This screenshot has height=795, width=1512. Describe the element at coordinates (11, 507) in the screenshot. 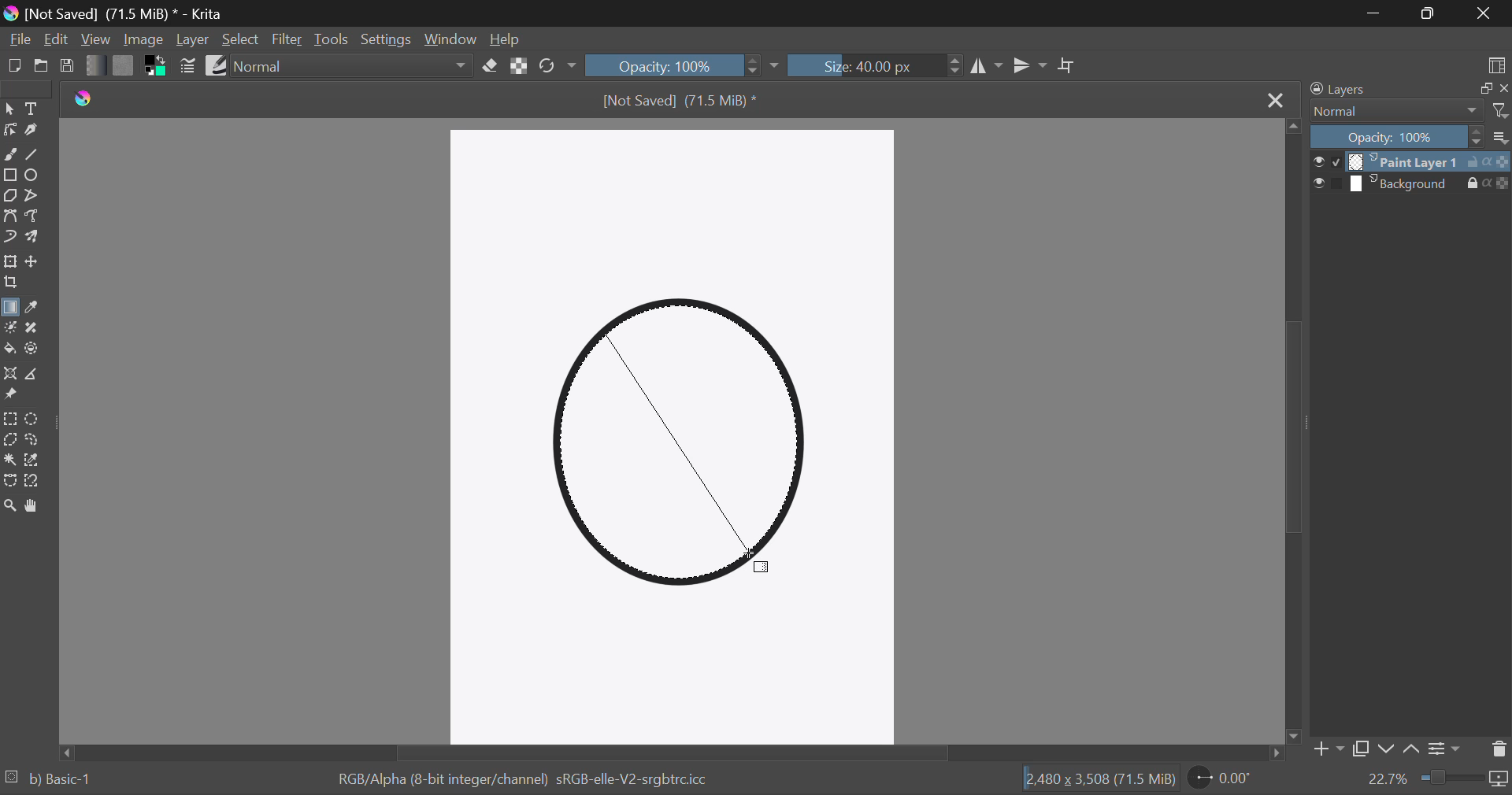

I see `Zoom` at that location.